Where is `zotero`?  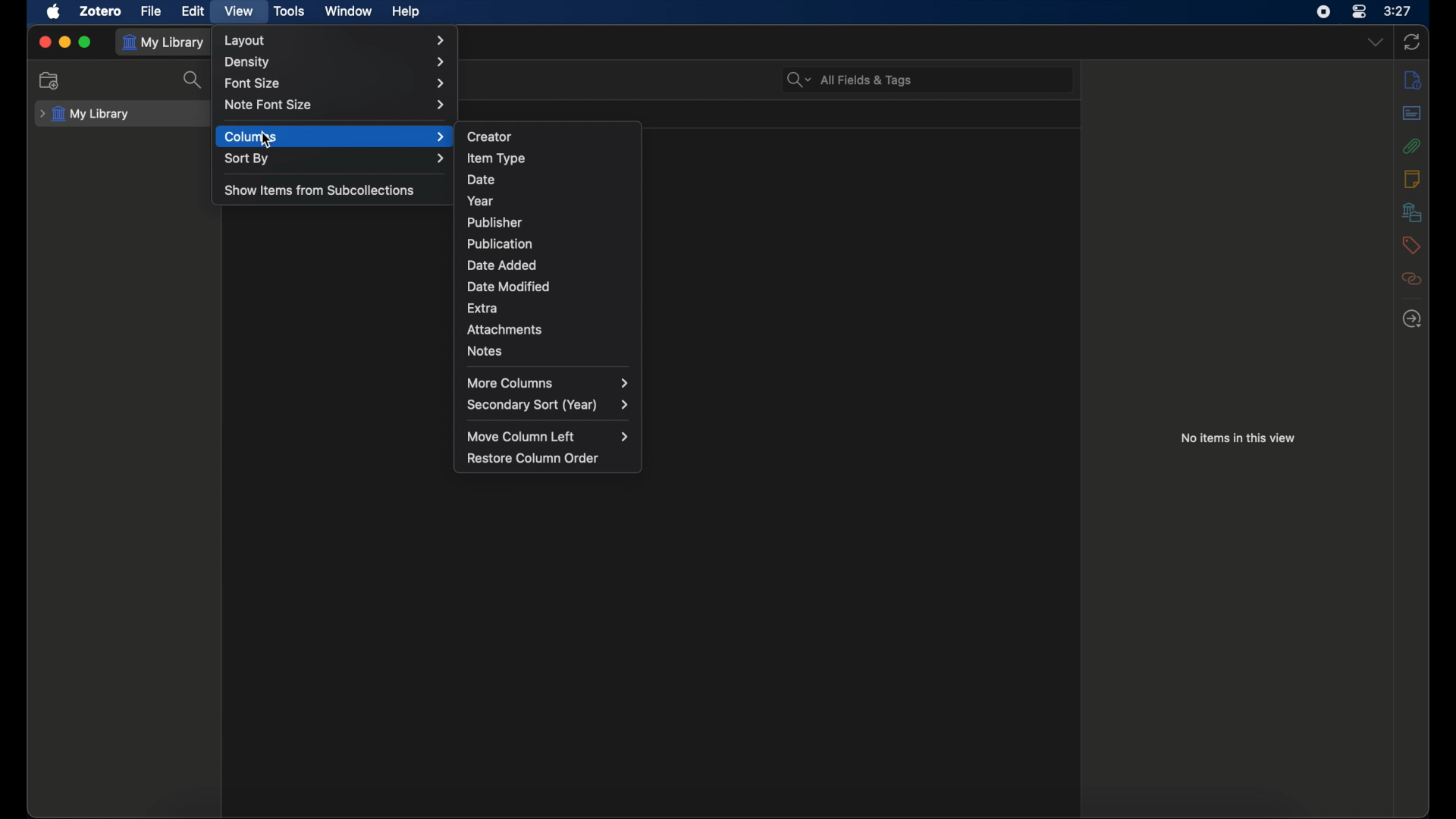 zotero is located at coordinates (100, 11).